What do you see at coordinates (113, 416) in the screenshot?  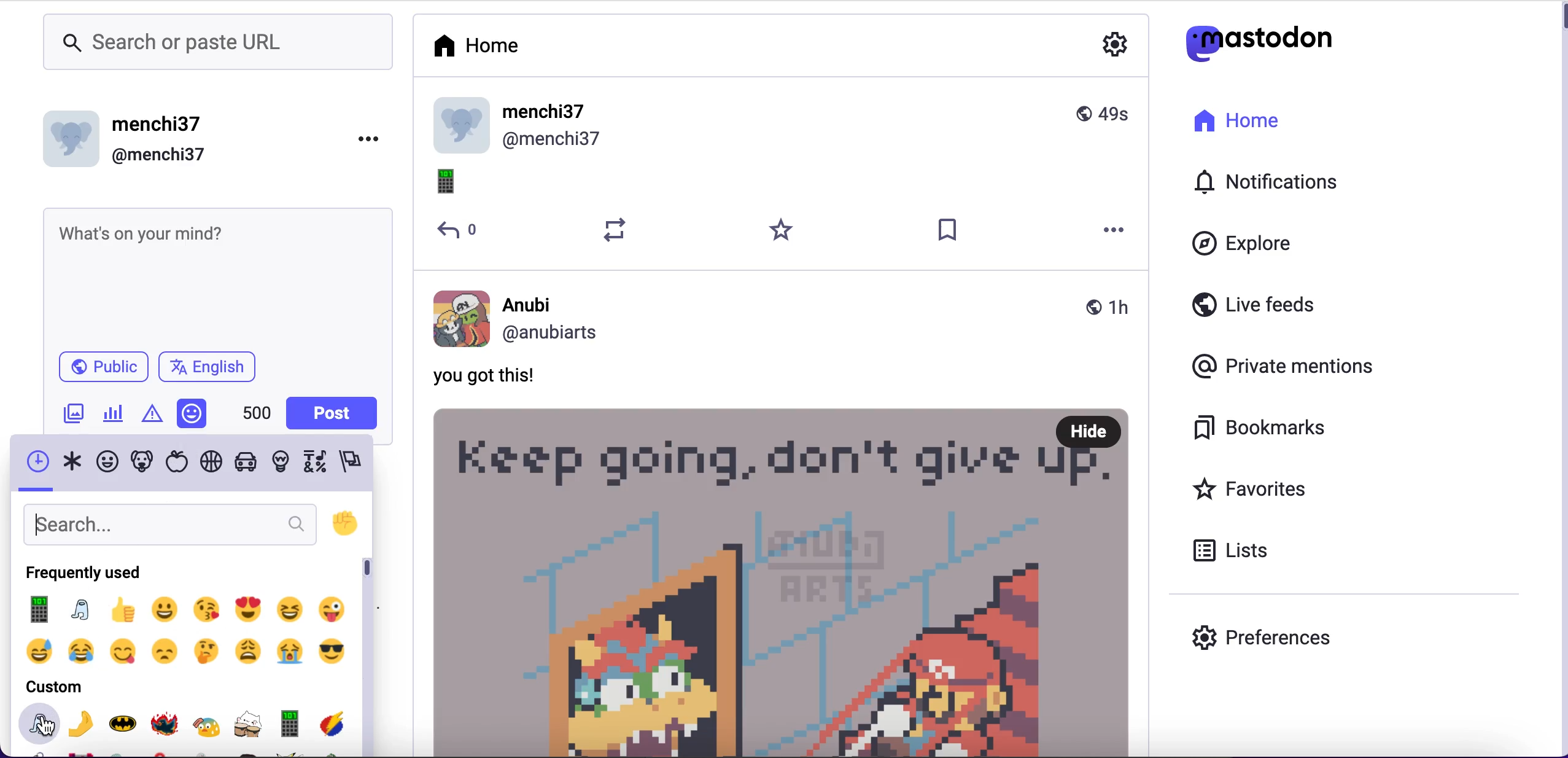 I see `add poll` at bounding box center [113, 416].